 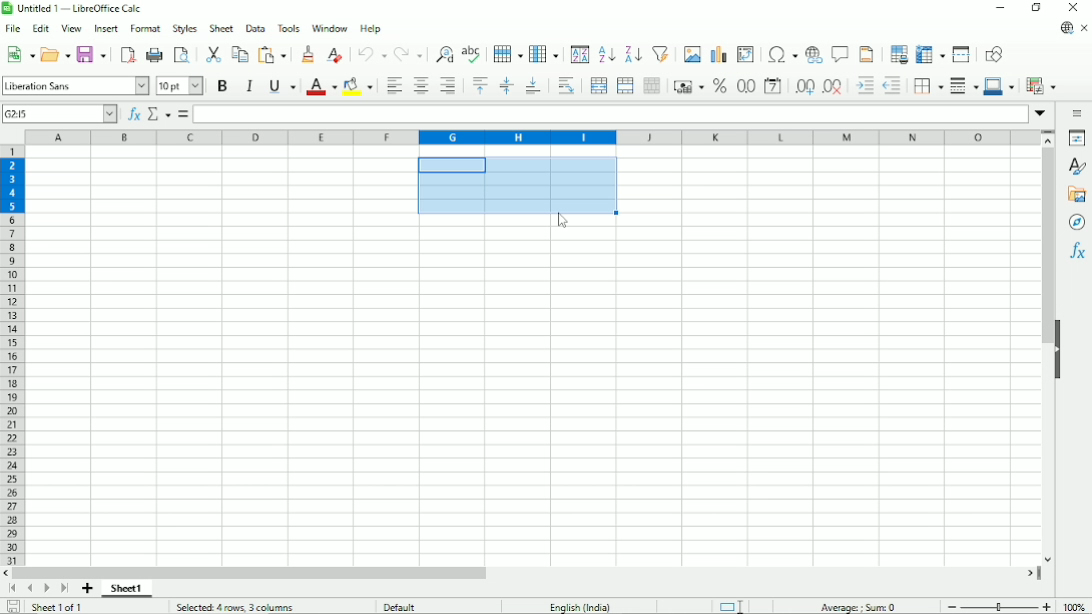 What do you see at coordinates (159, 114) in the screenshot?
I see `Select function` at bounding box center [159, 114].